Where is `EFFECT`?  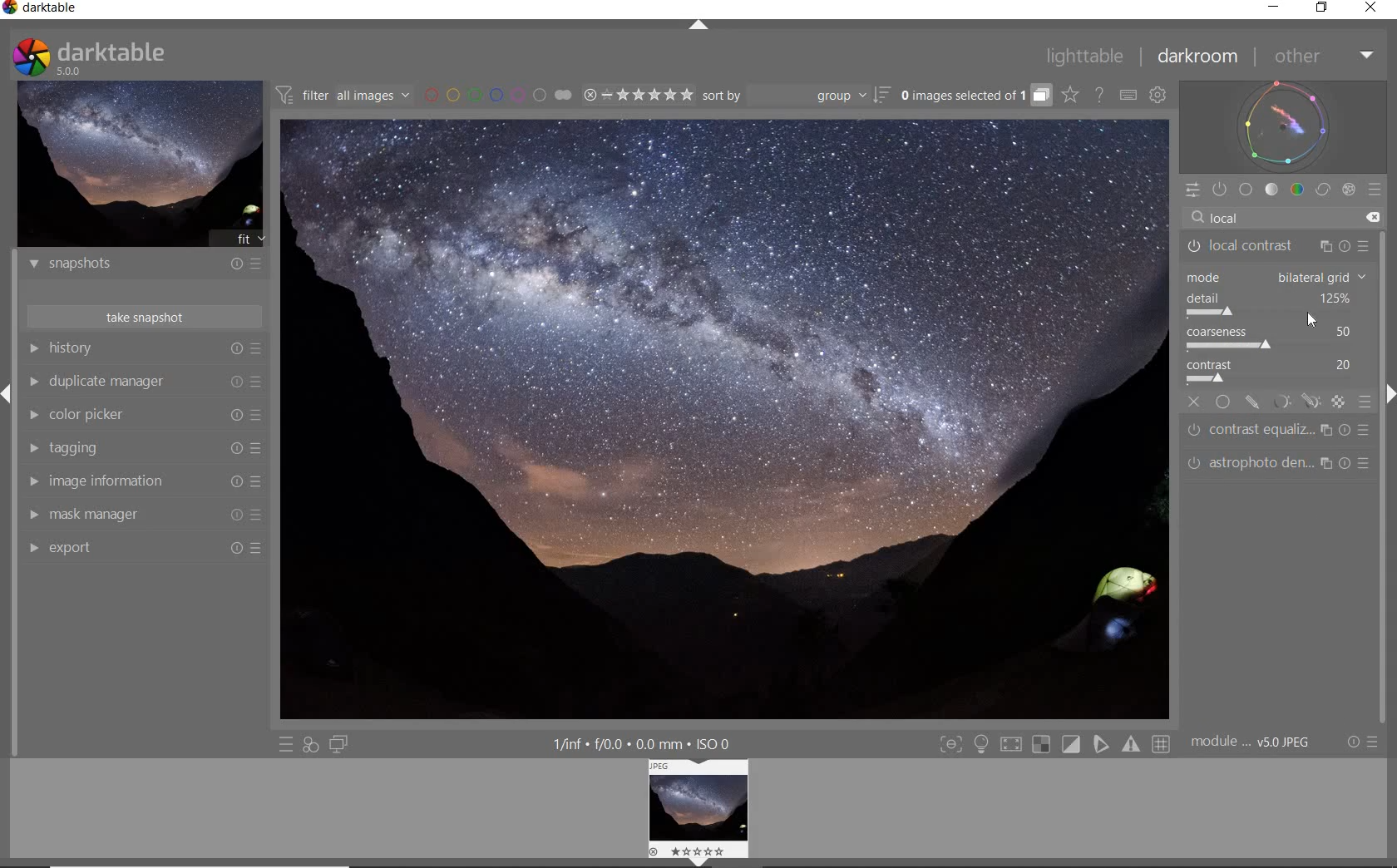 EFFECT is located at coordinates (1348, 190).